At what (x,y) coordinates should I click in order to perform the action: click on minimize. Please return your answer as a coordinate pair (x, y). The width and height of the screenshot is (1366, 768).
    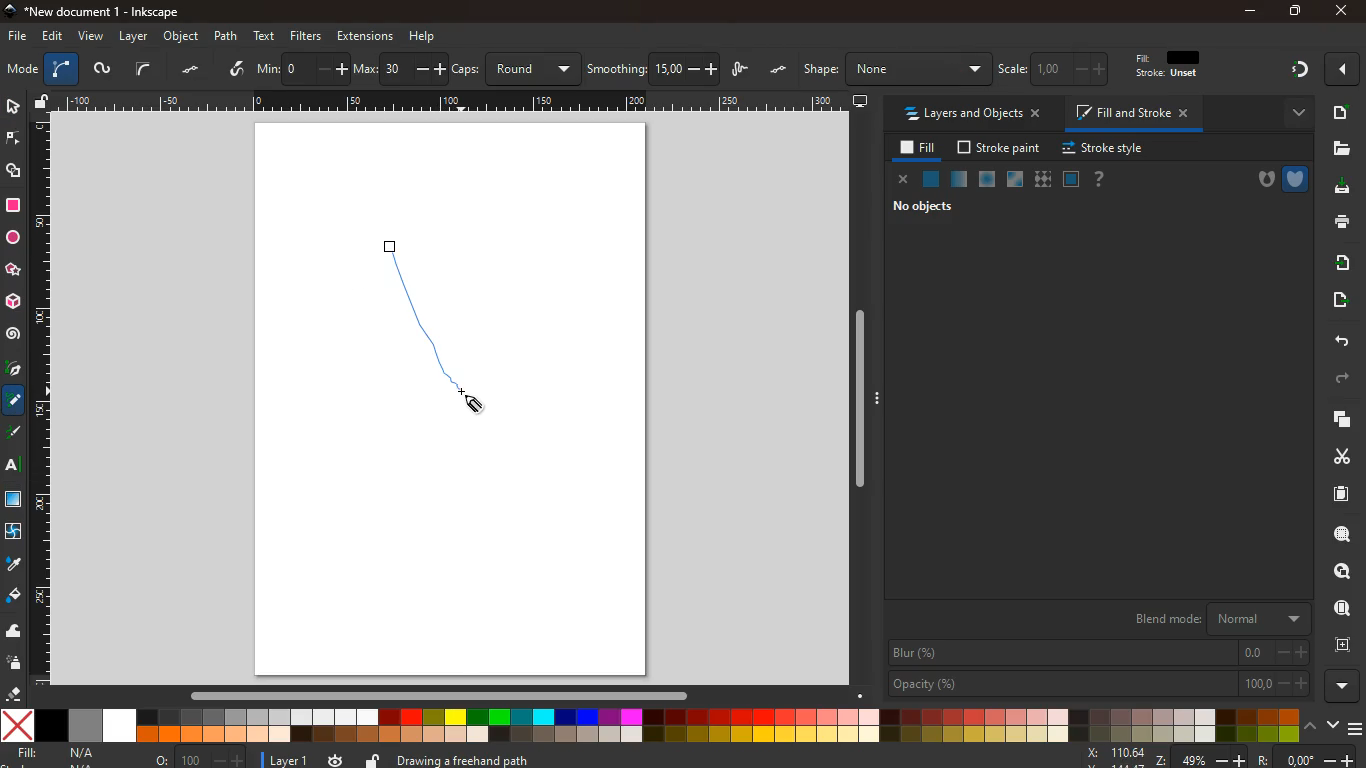
    Looking at the image, I should click on (1252, 12).